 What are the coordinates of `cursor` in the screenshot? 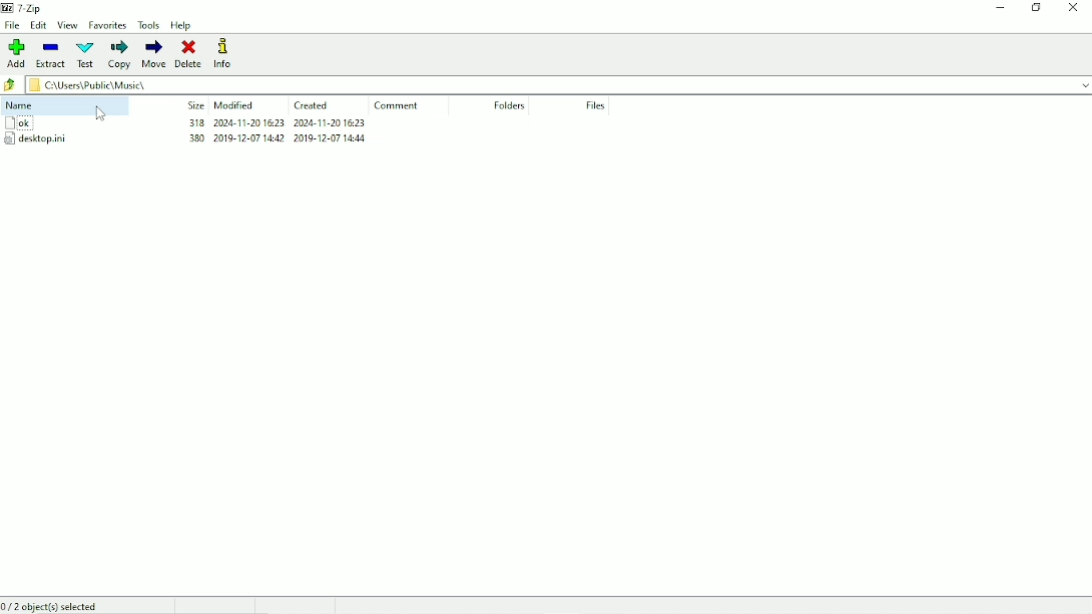 It's located at (101, 112).